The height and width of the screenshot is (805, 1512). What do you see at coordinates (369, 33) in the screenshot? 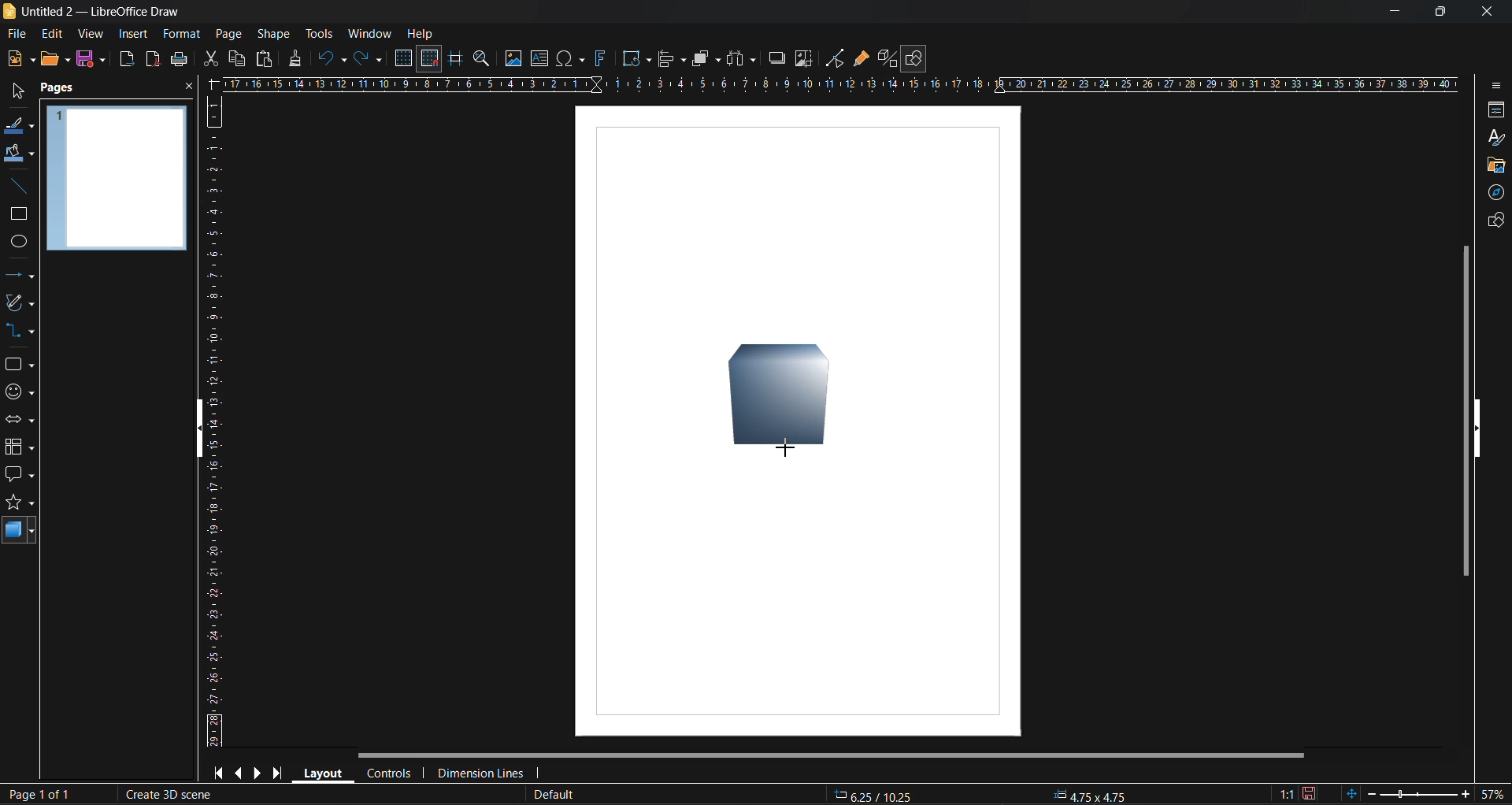
I see `window` at bounding box center [369, 33].